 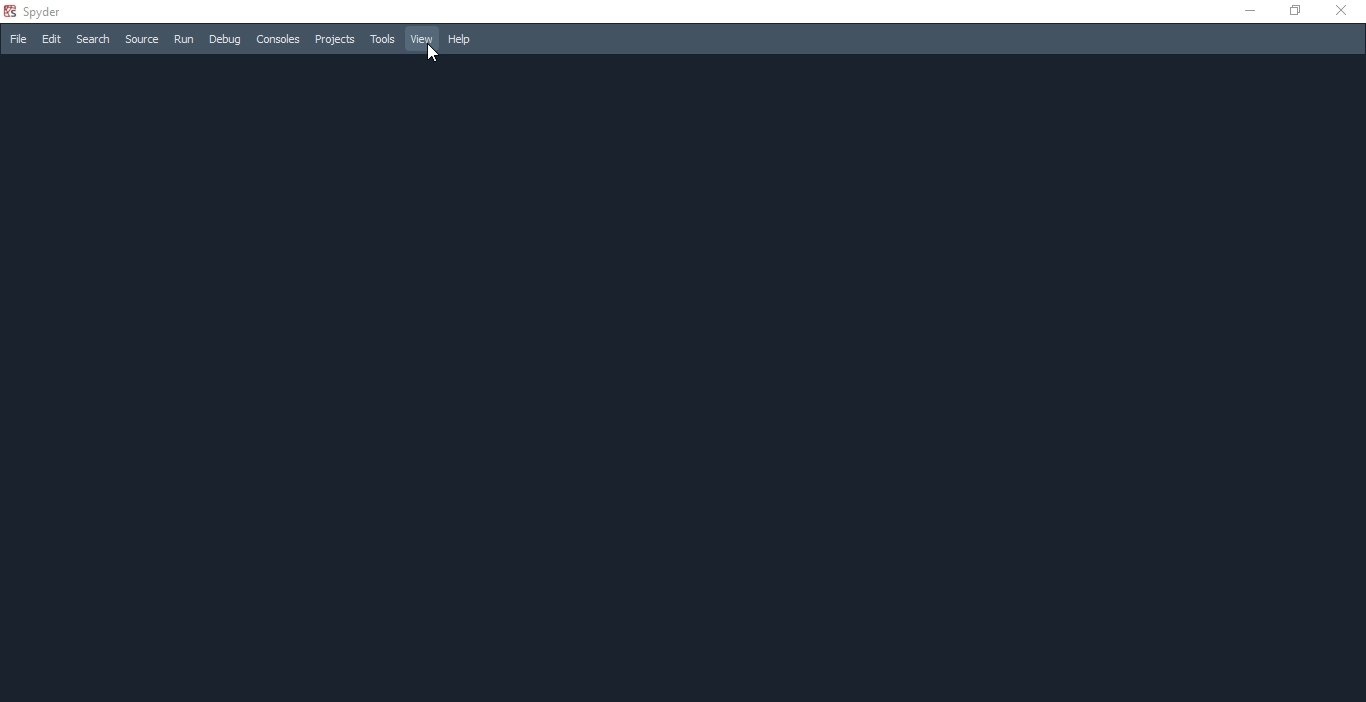 I want to click on close, so click(x=1345, y=12).